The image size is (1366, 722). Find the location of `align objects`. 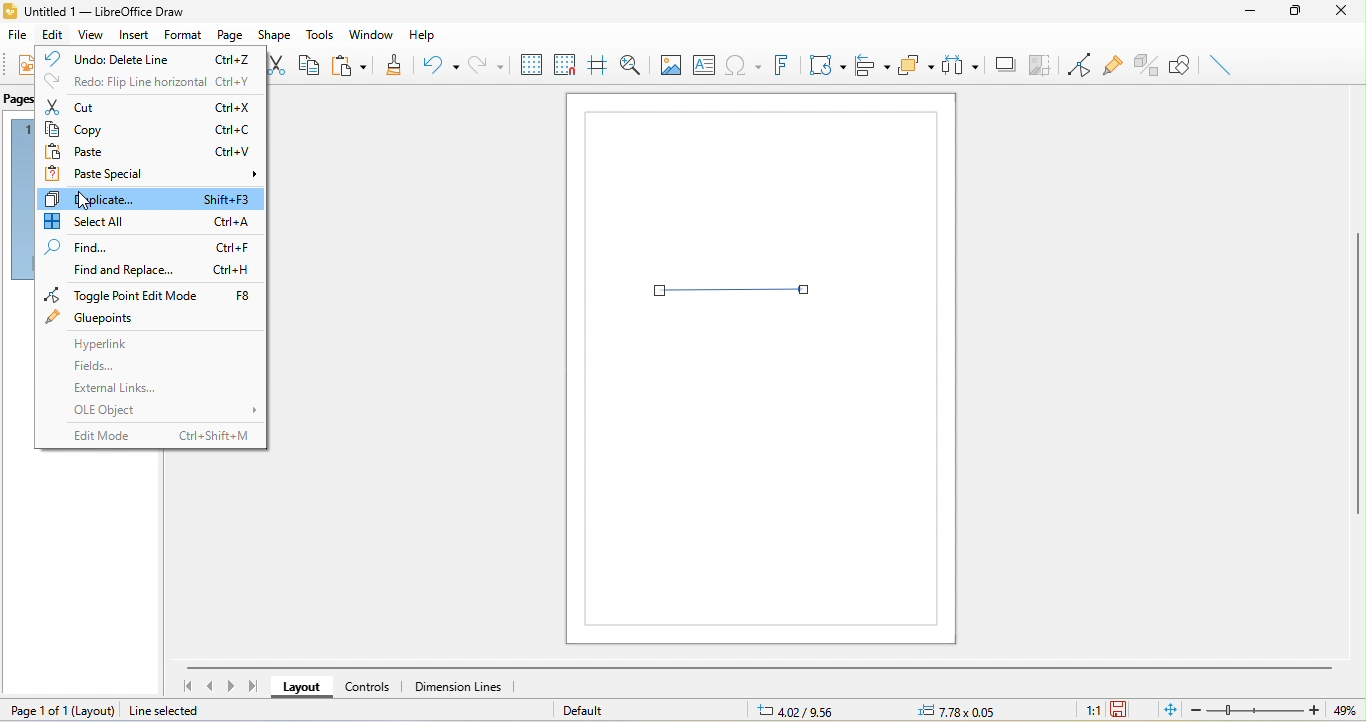

align objects is located at coordinates (874, 66).